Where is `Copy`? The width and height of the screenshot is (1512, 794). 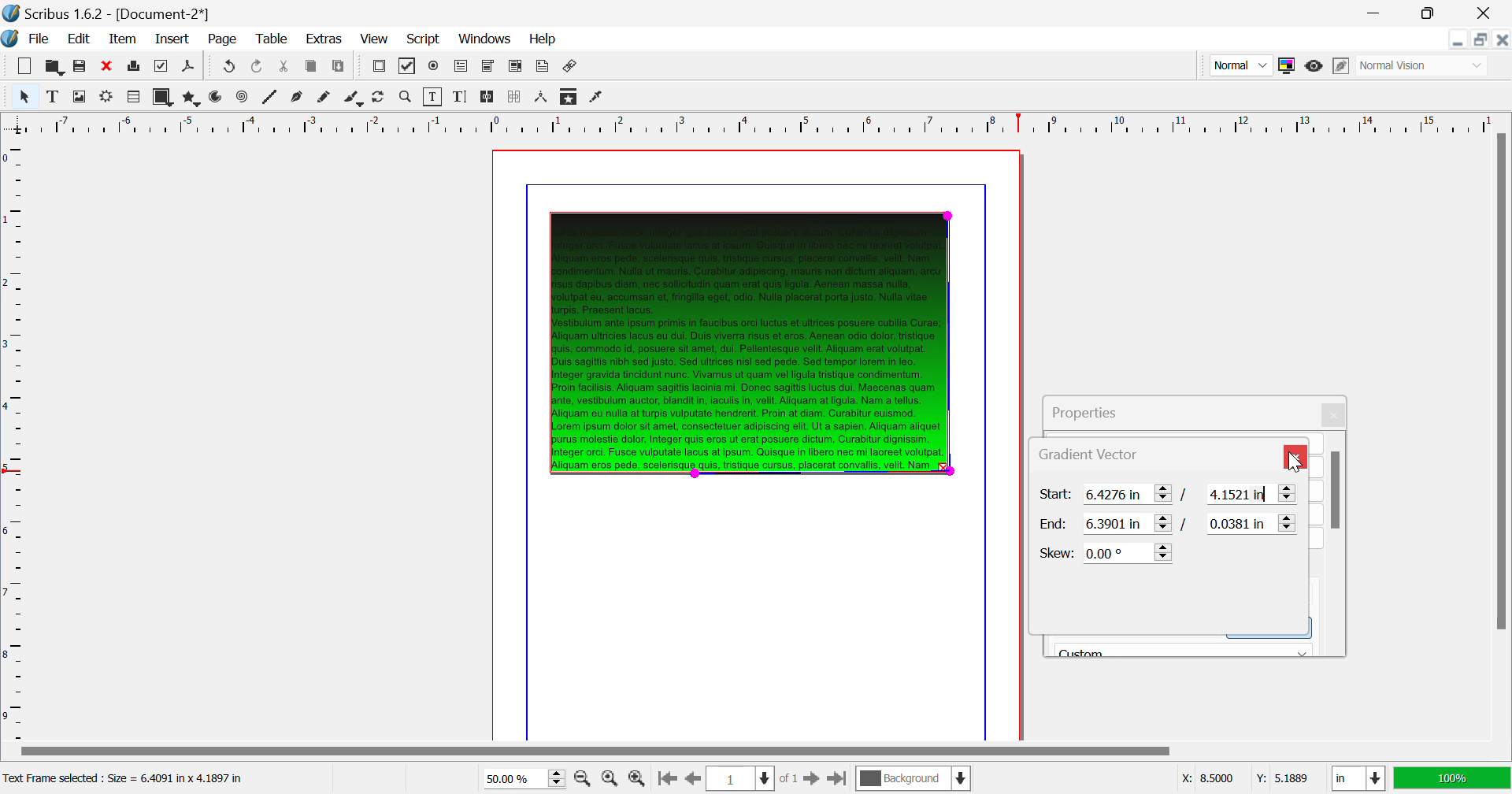 Copy is located at coordinates (312, 69).